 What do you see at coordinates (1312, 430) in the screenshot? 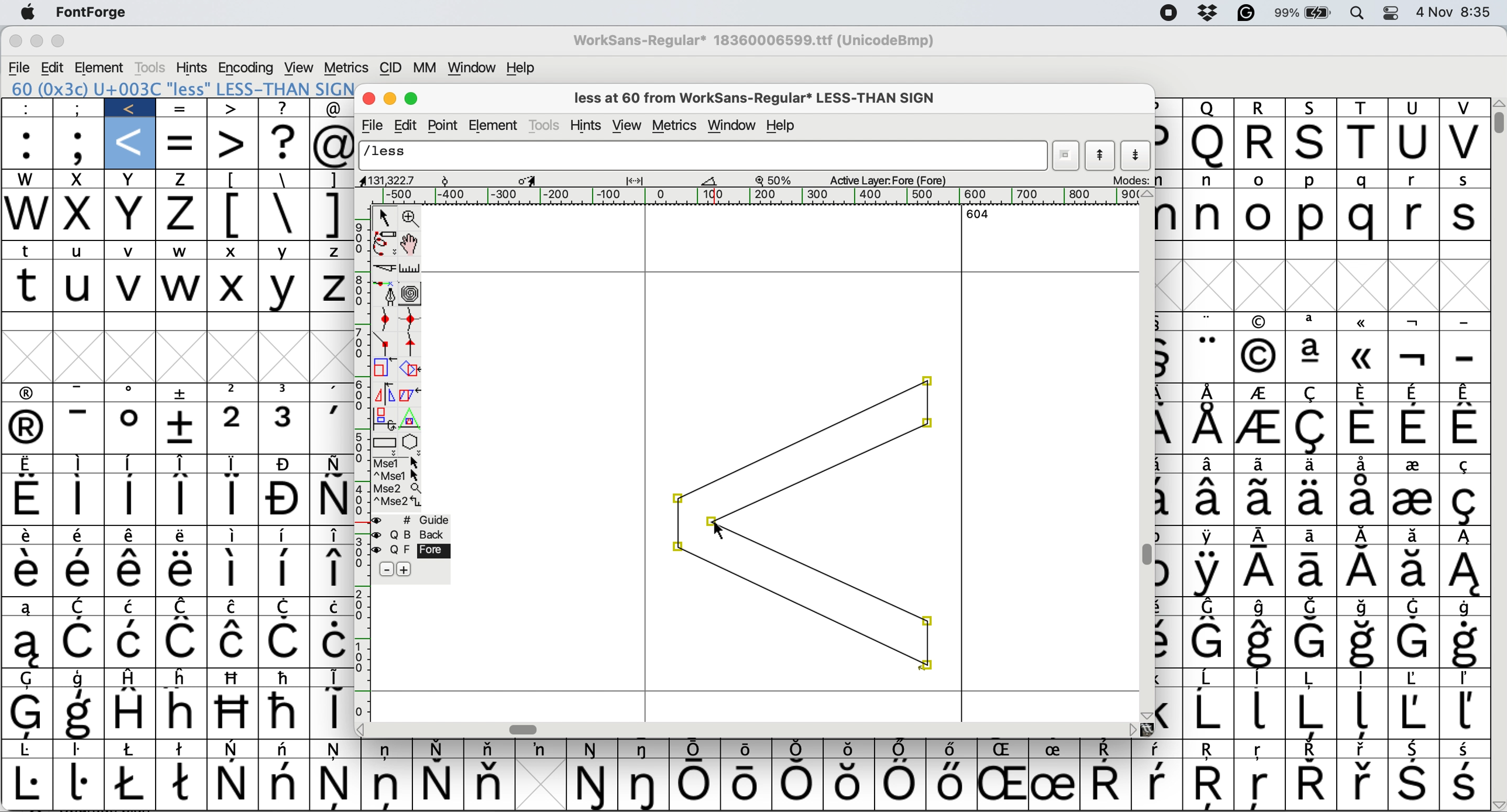
I see `Symbol` at bounding box center [1312, 430].